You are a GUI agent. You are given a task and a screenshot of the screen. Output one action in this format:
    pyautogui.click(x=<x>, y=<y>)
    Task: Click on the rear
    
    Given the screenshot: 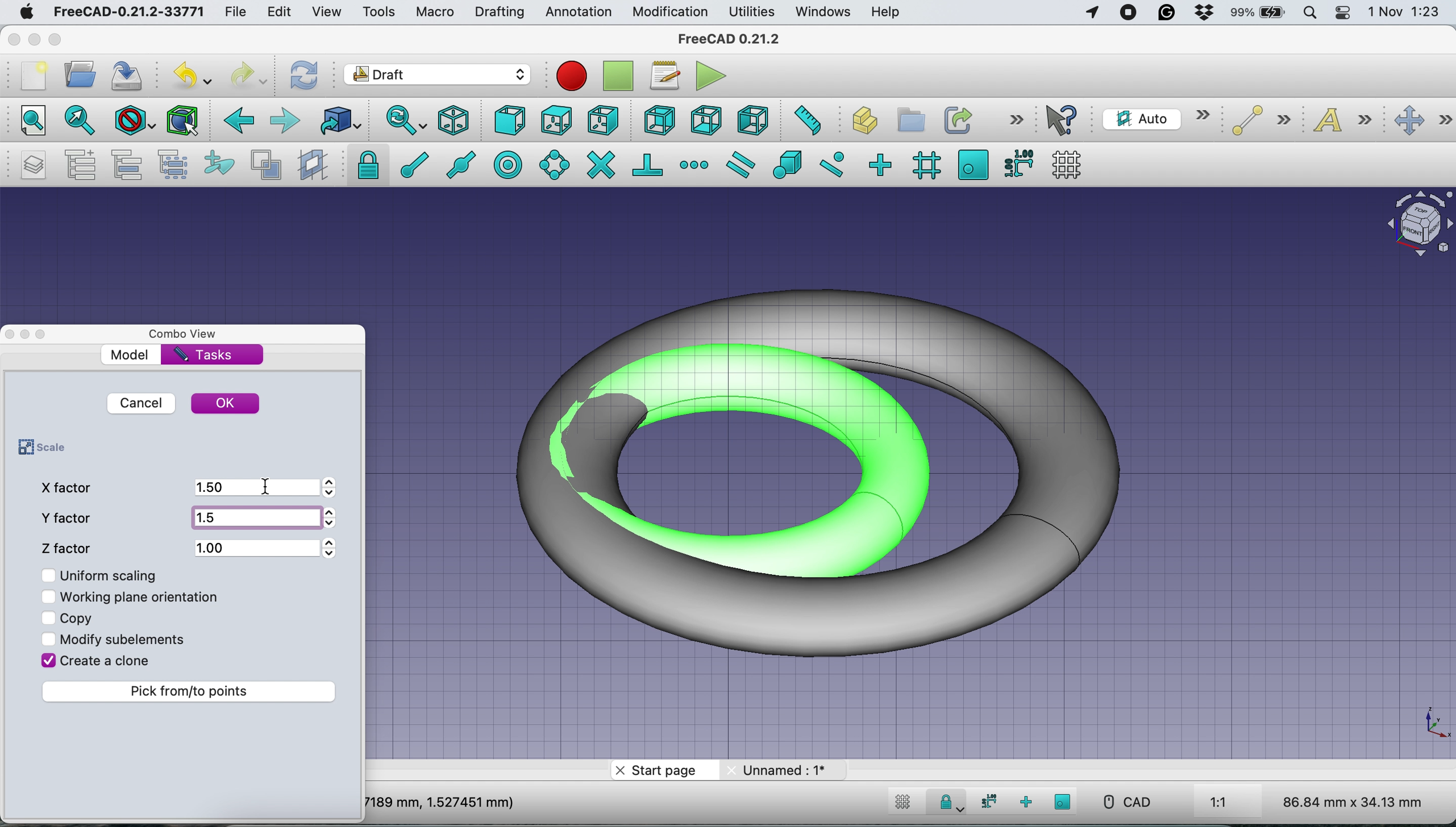 What is the action you would take?
    pyautogui.click(x=658, y=122)
    